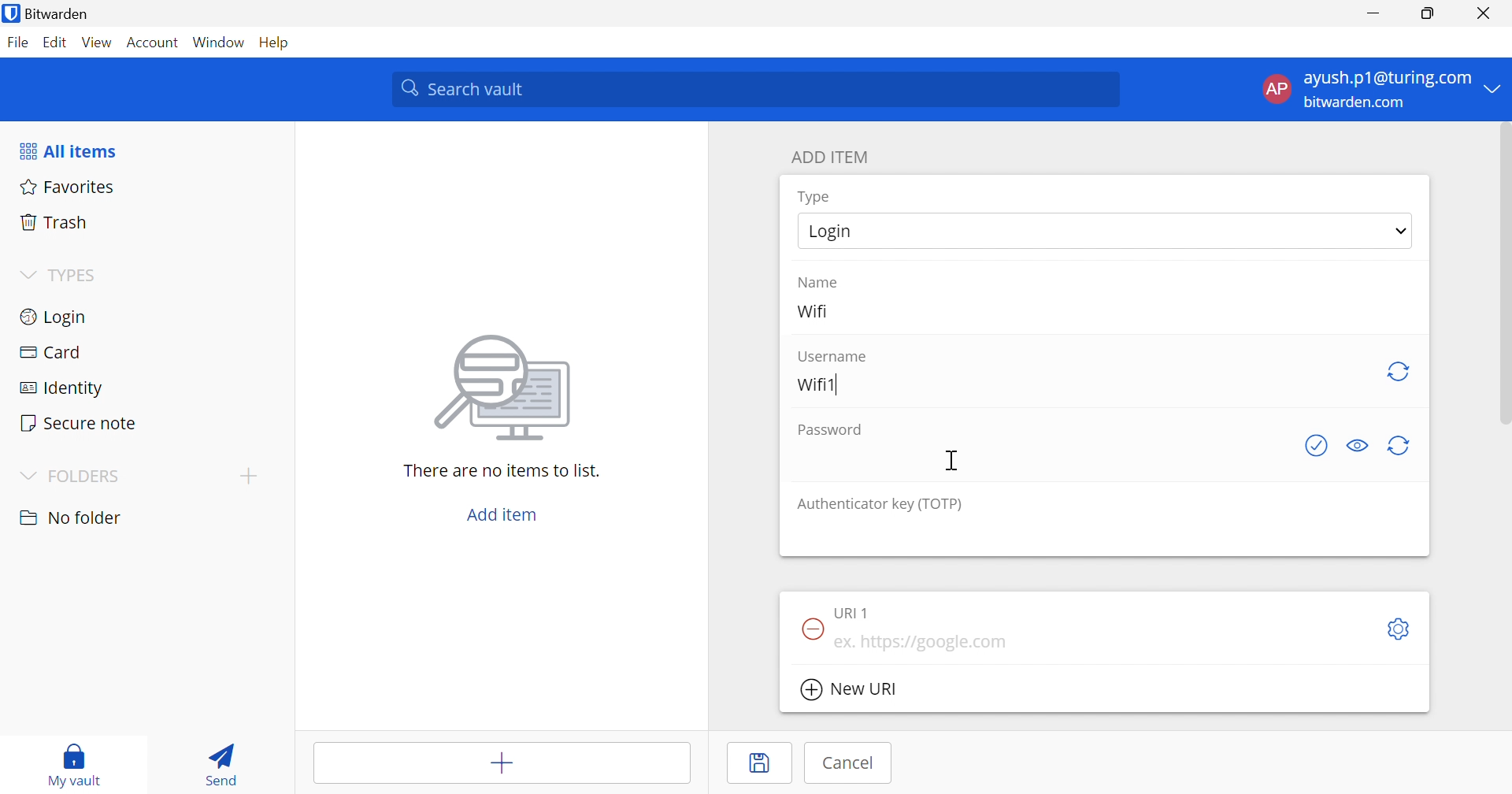 This screenshot has width=1512, height=794. Describe the element at coordinates (850, 762) in the screenshot. I see `Cancel` at that location.